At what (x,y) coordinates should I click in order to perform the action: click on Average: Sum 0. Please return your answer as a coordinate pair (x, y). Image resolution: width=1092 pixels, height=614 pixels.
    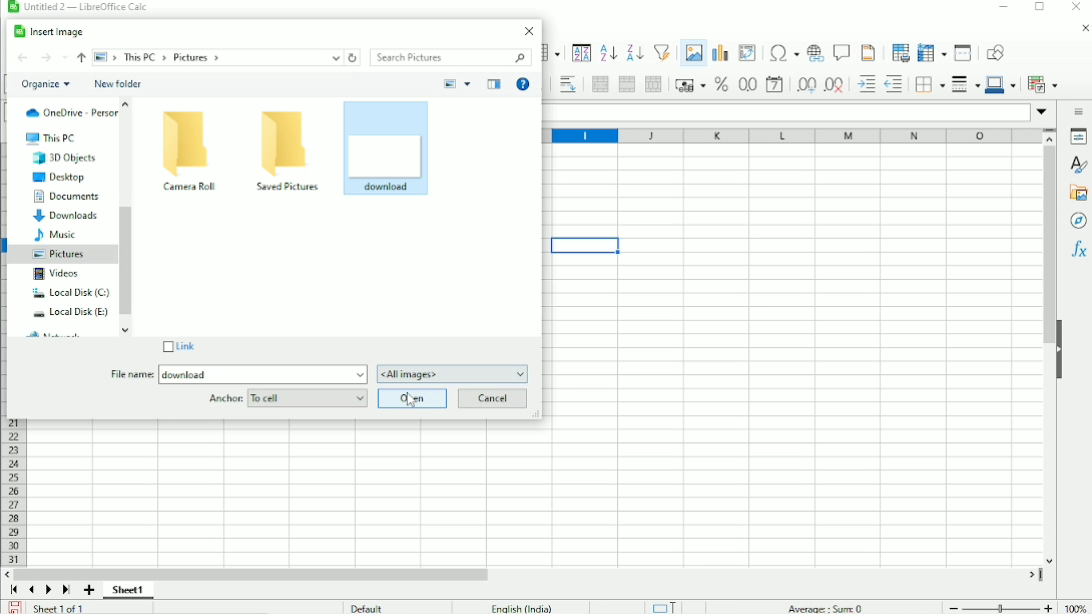
    Looking at the image, I should click on (824, 606).